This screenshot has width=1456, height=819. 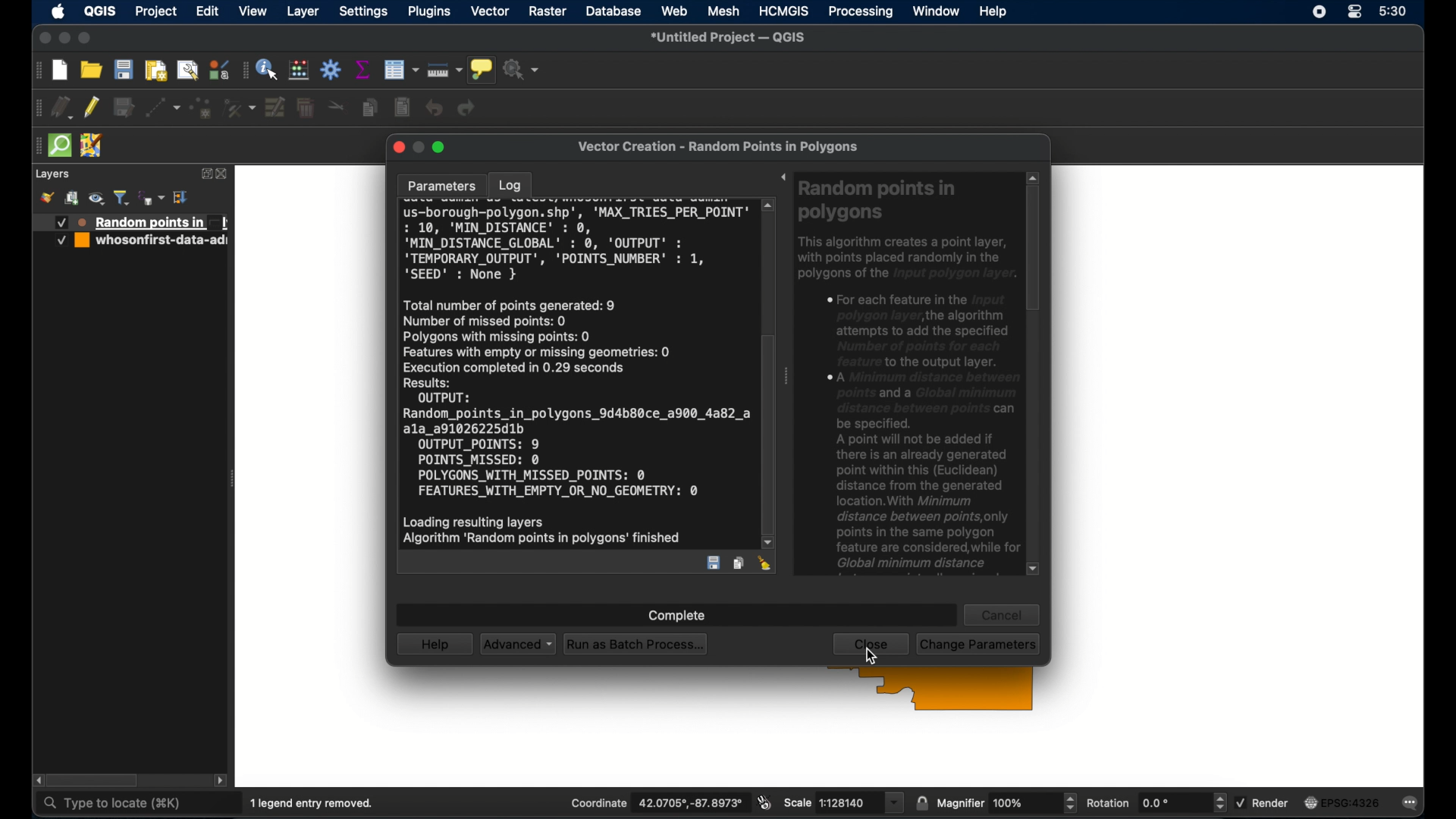 I want to click on scroll box, so click(x=1034, y=249).